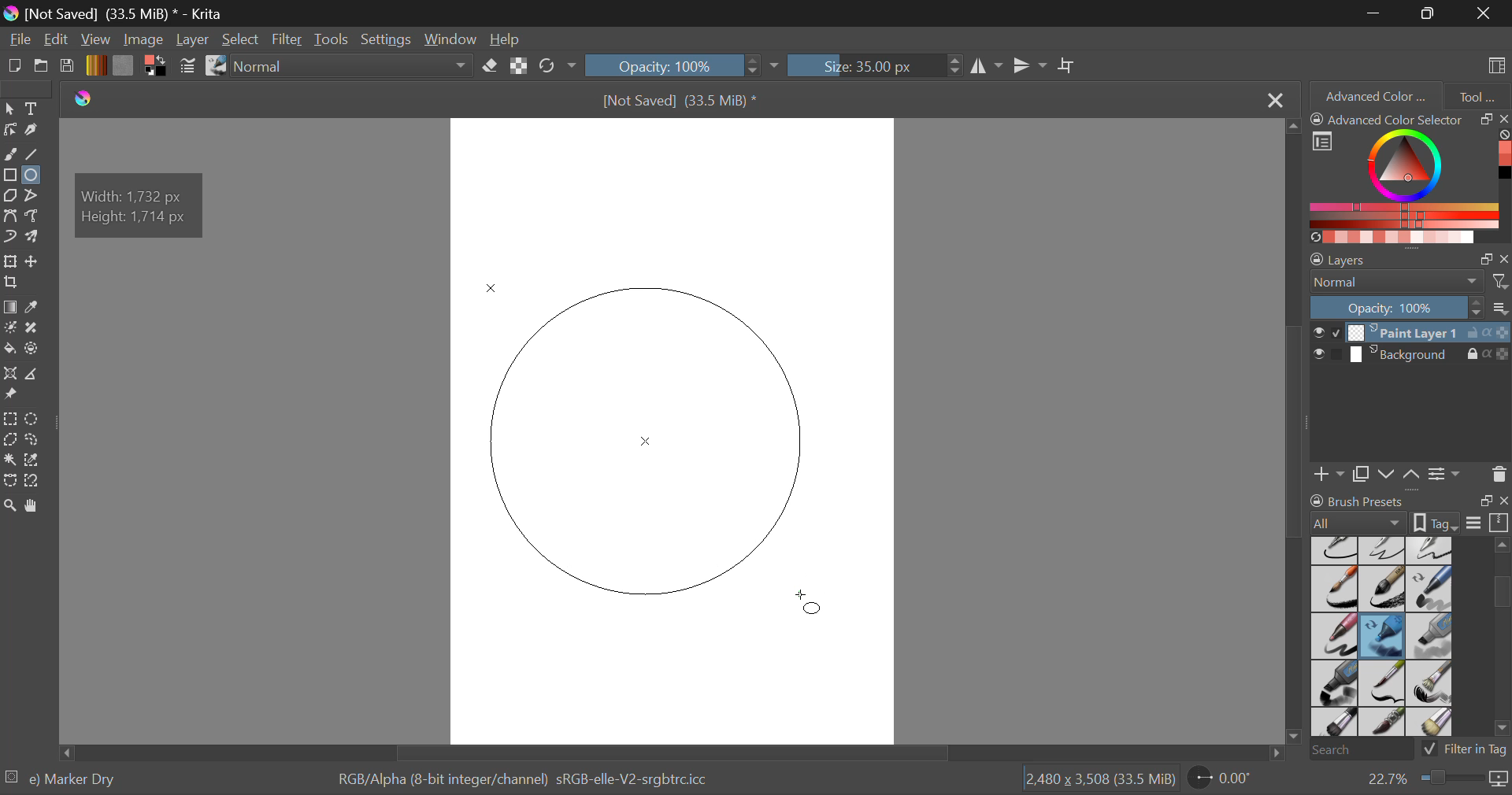  What do you see at coordinates (11, 154) in the screenshot?
I see `Freehand` at bounding box center [11, 154].